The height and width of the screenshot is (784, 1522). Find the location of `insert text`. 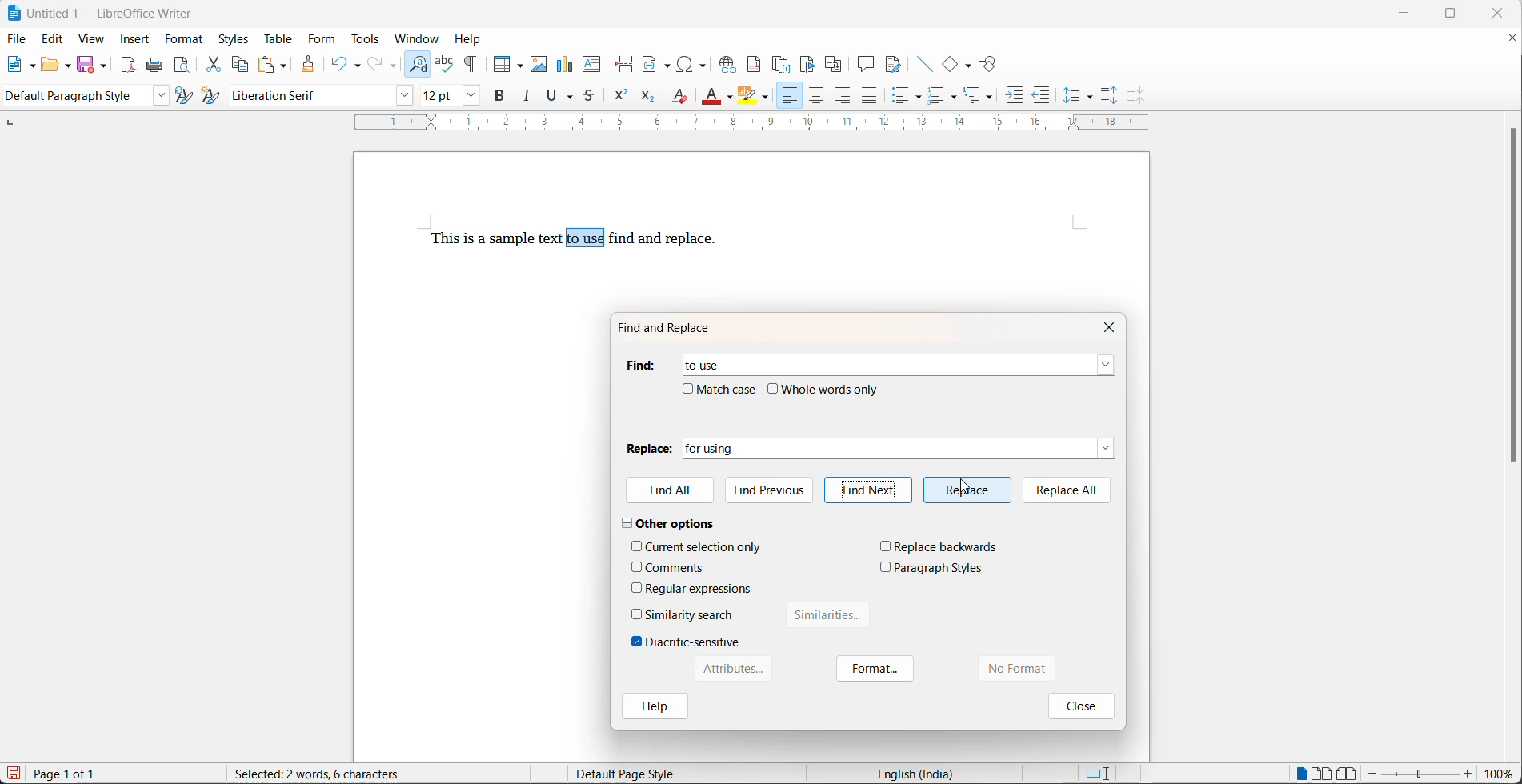

insert text is located at coordinates (593, 66).